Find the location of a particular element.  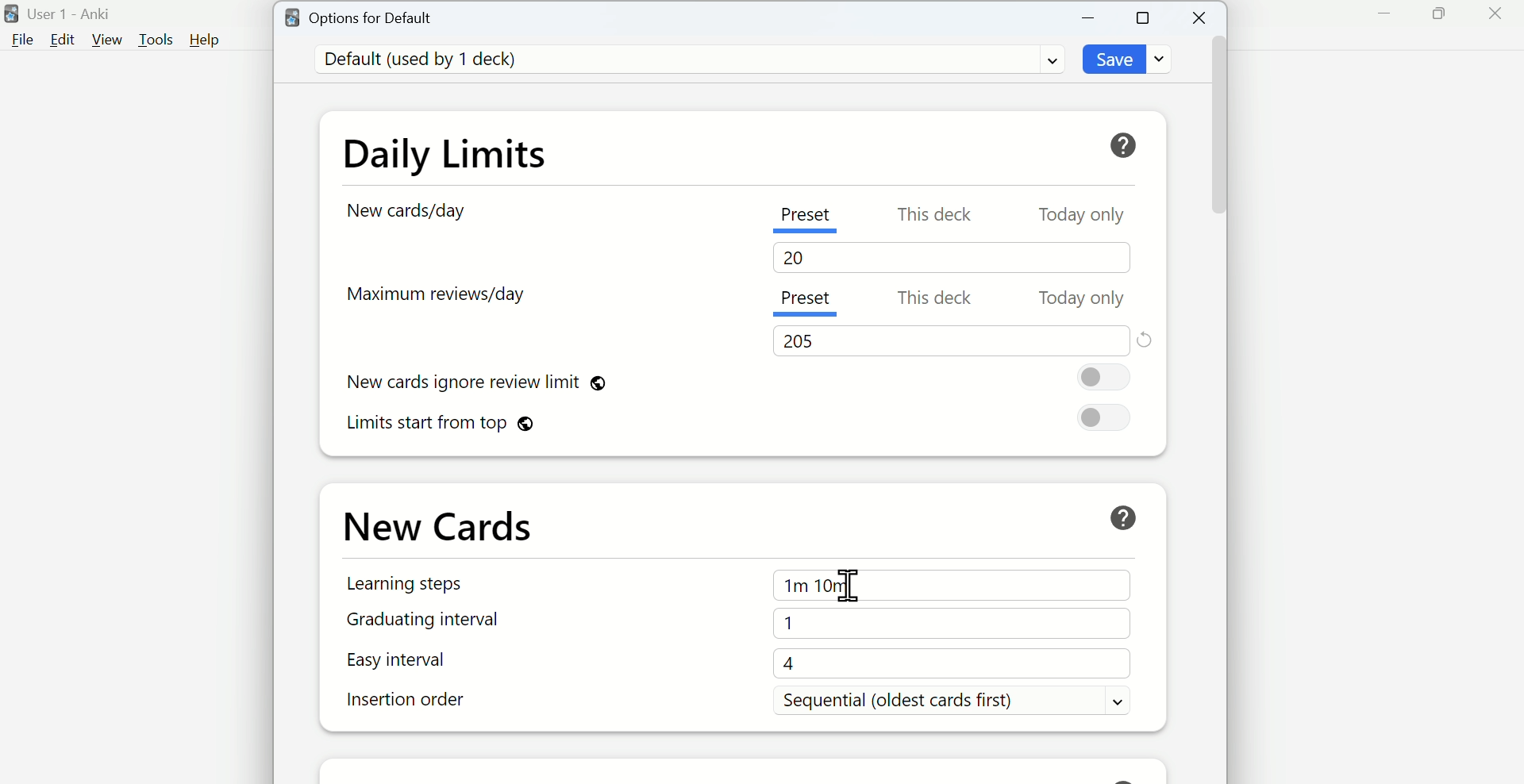

Options for Default is located at coordinates (369, 18).